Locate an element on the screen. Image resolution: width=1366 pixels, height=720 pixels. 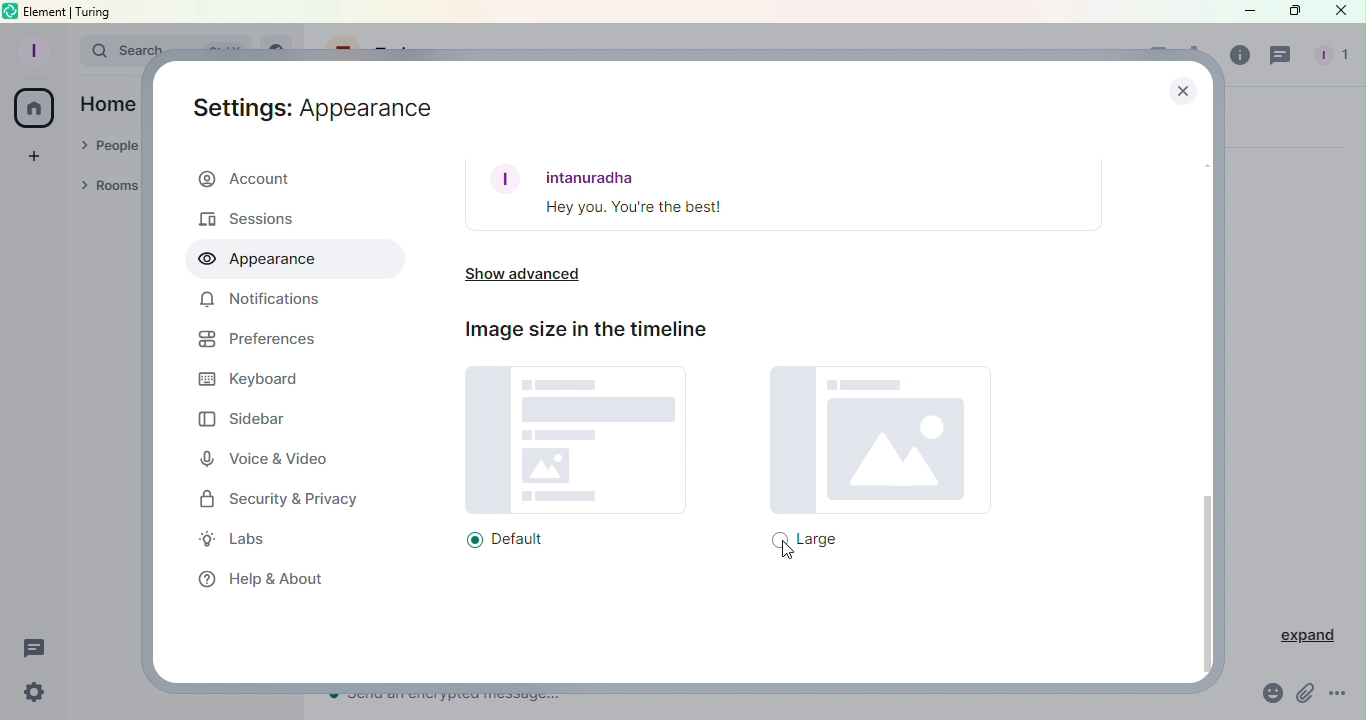
Large is located at coordinates (865, 458).